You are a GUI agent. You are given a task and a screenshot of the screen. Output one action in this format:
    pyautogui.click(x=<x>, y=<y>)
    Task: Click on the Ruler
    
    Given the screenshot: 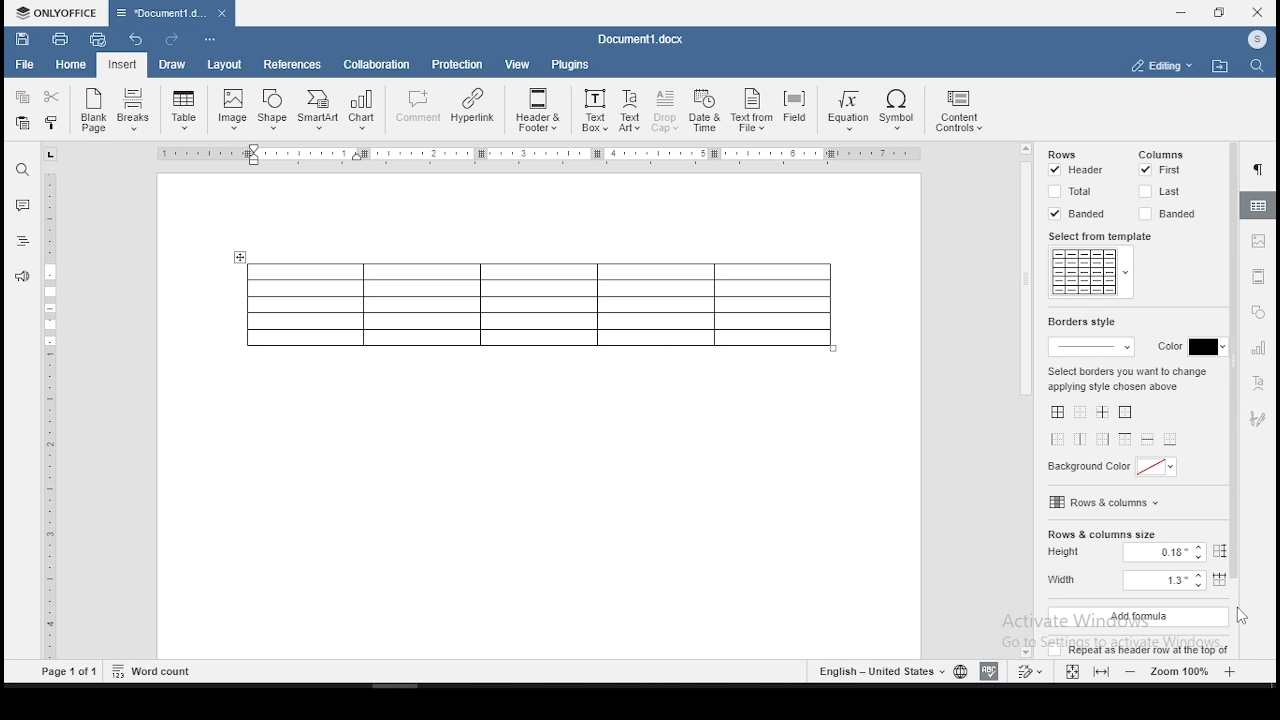 What is the action you would take?
    pyautogui.click(x=542, y=154)
    